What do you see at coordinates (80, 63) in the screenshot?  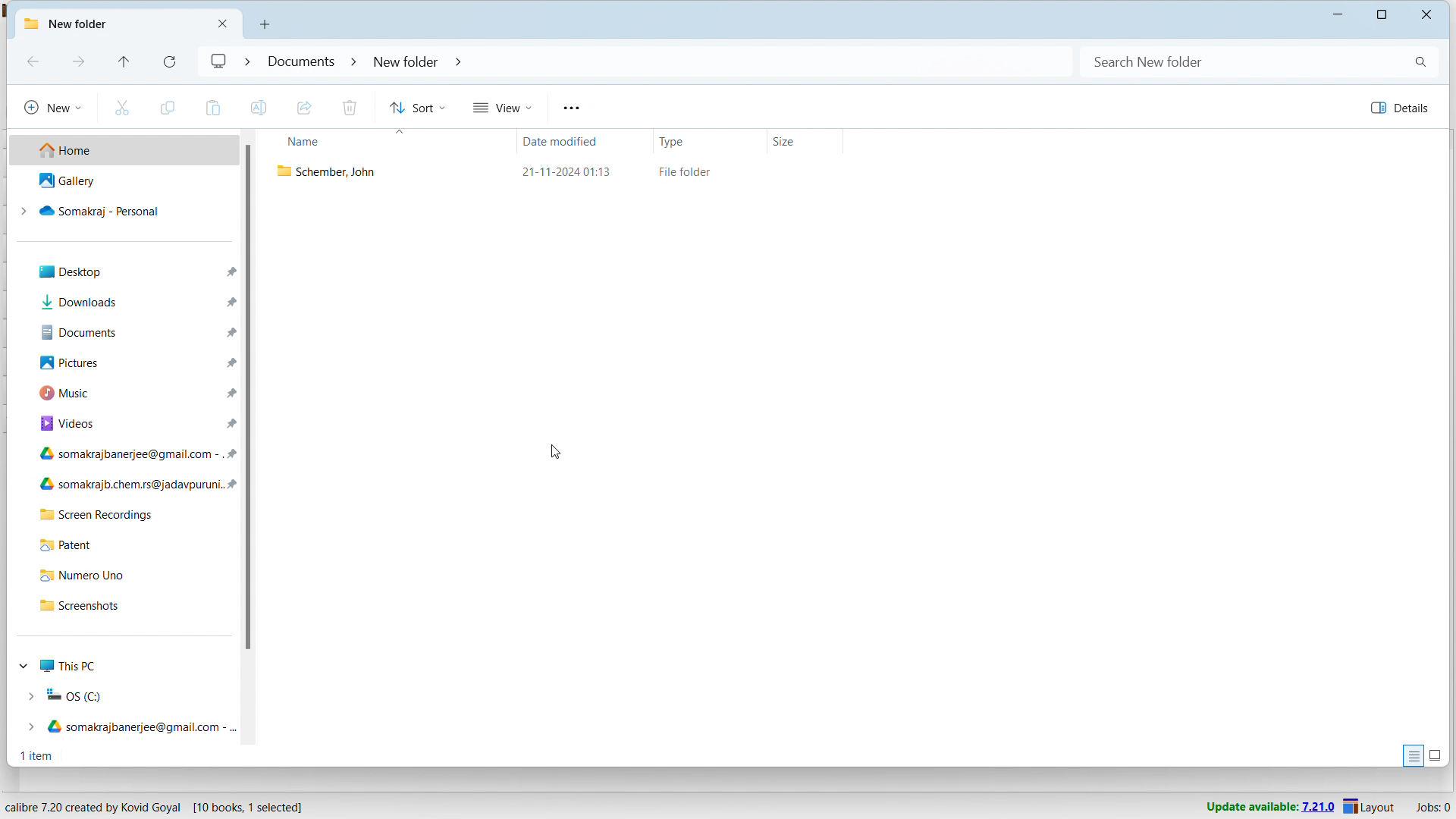 I see `forward` at bounding box center [80, 63].